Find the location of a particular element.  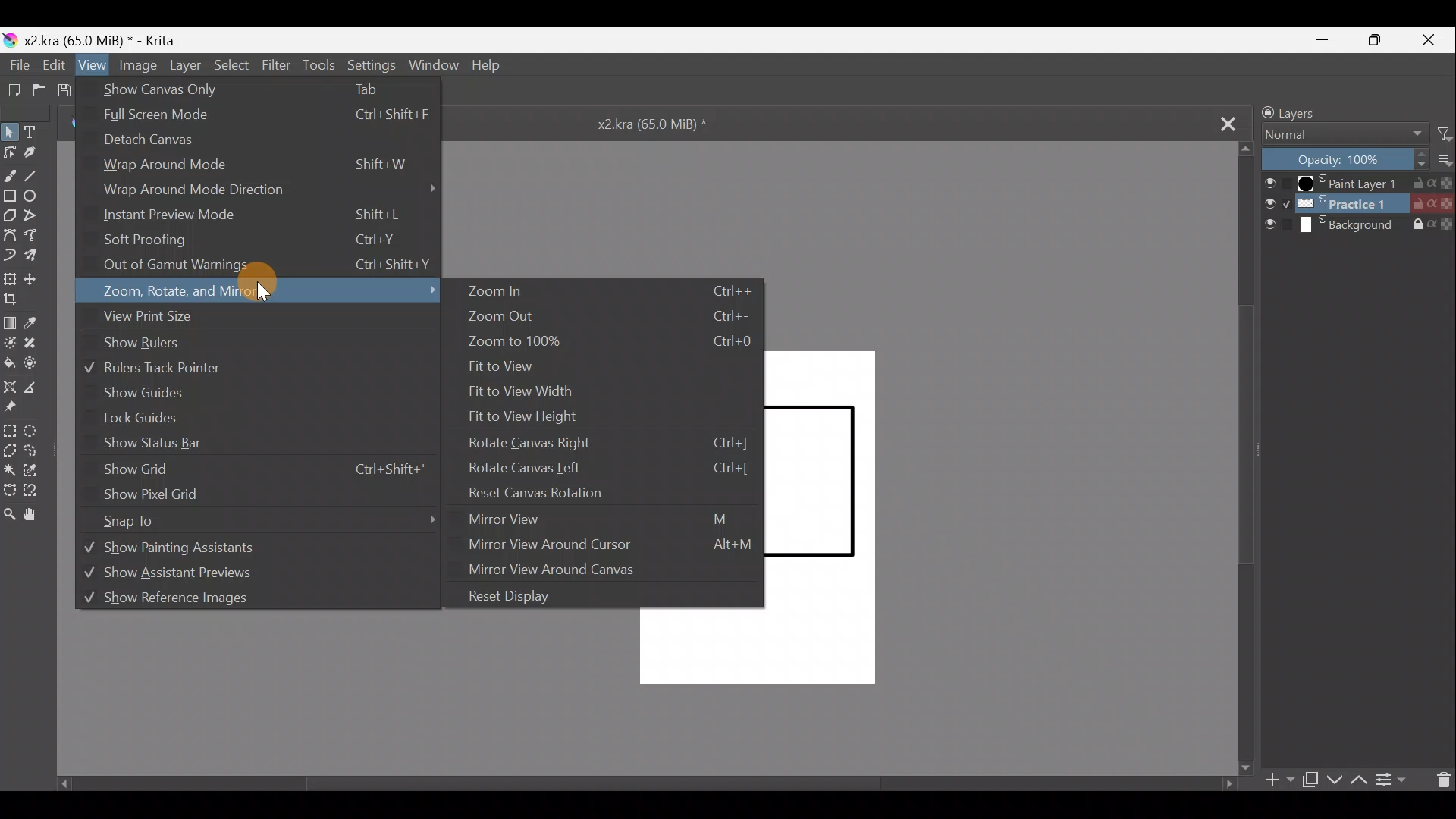

Show assistant previews is located at coordinates (199, 576).